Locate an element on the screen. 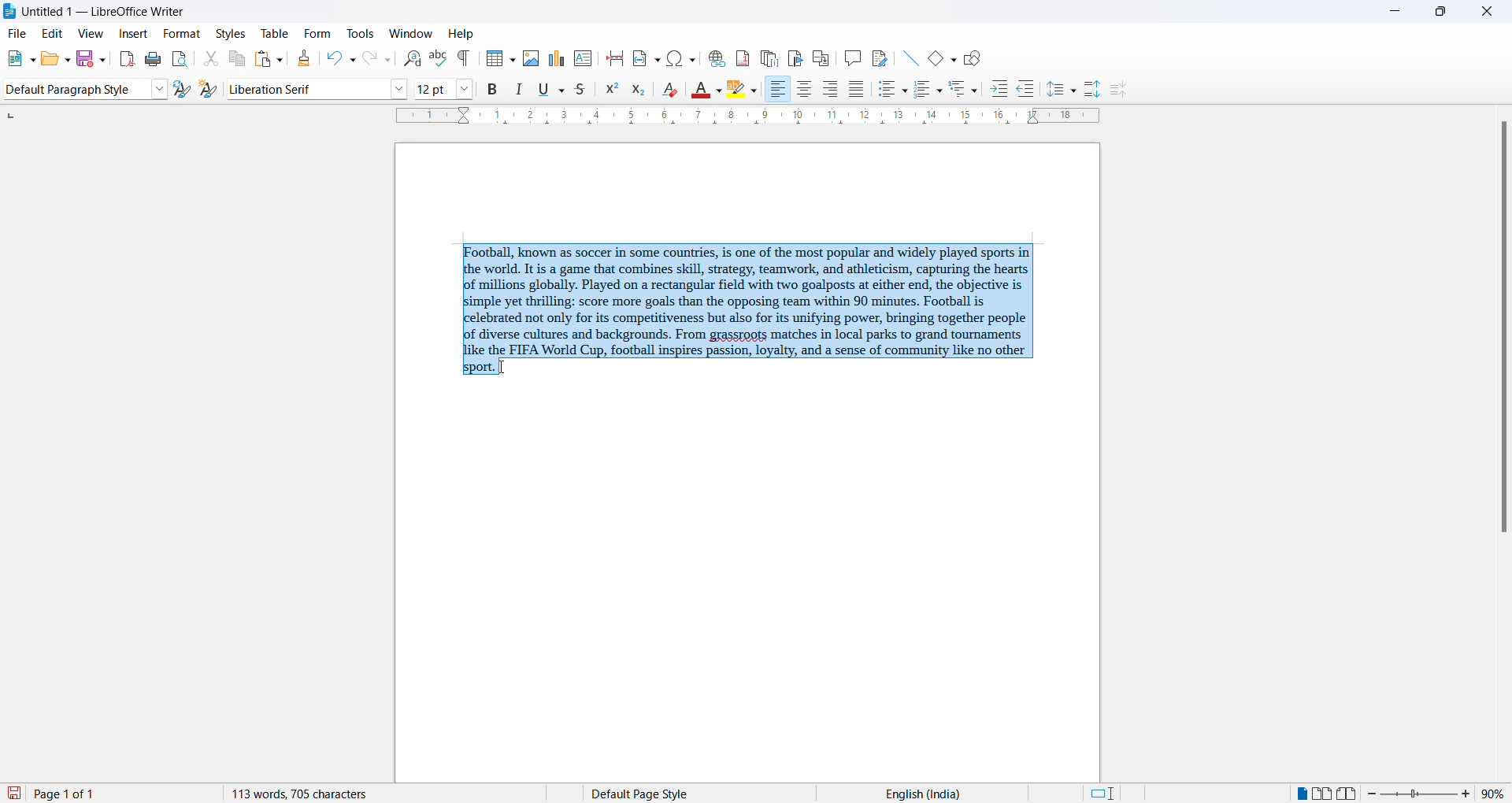 The height and width of the screenshot is (803, 1512). character highlighting is located at coordinates (736, 90).